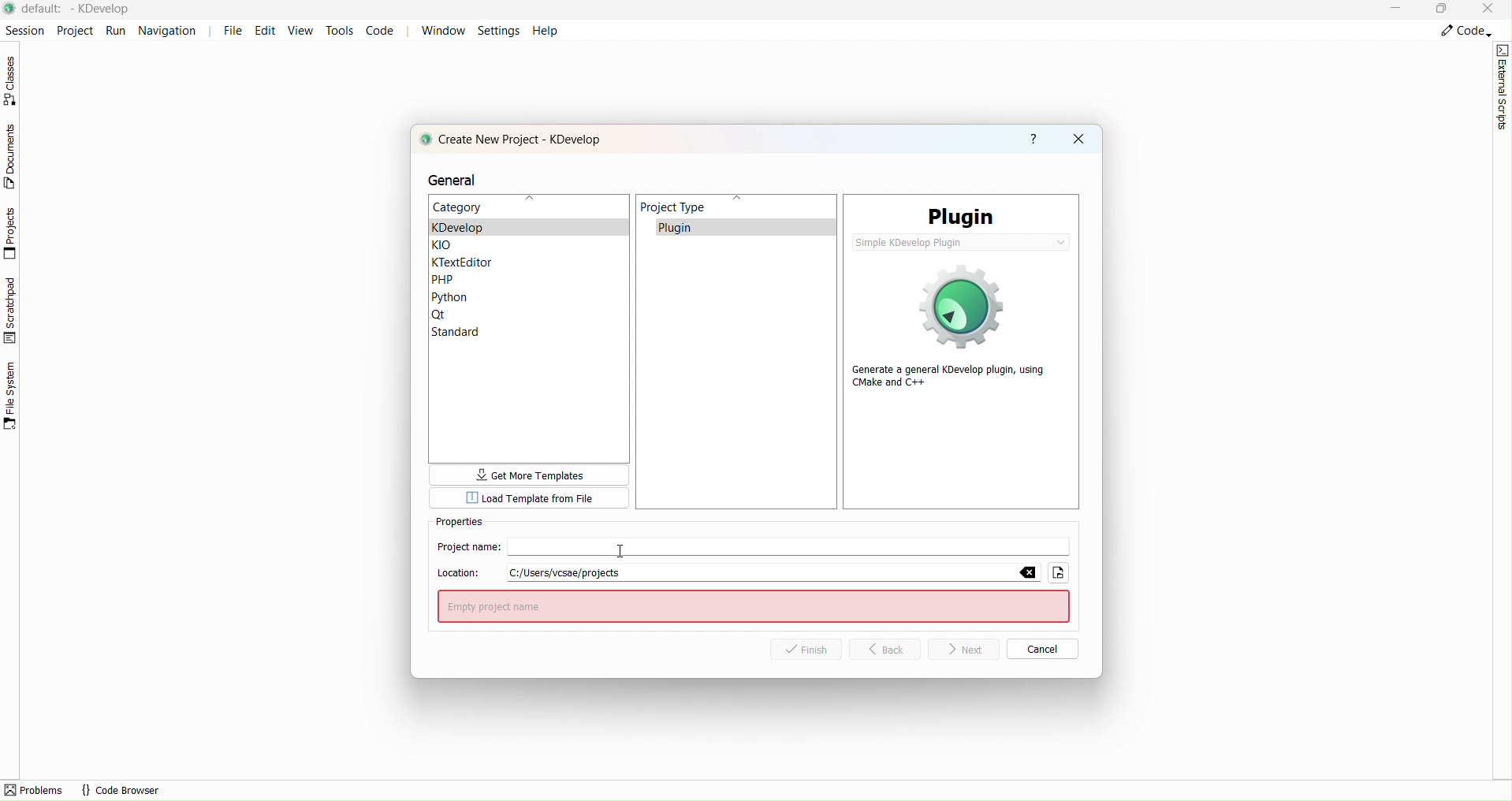 This screenshot has width=1512, height=801. I want to click on Close, so click(1490, 9).